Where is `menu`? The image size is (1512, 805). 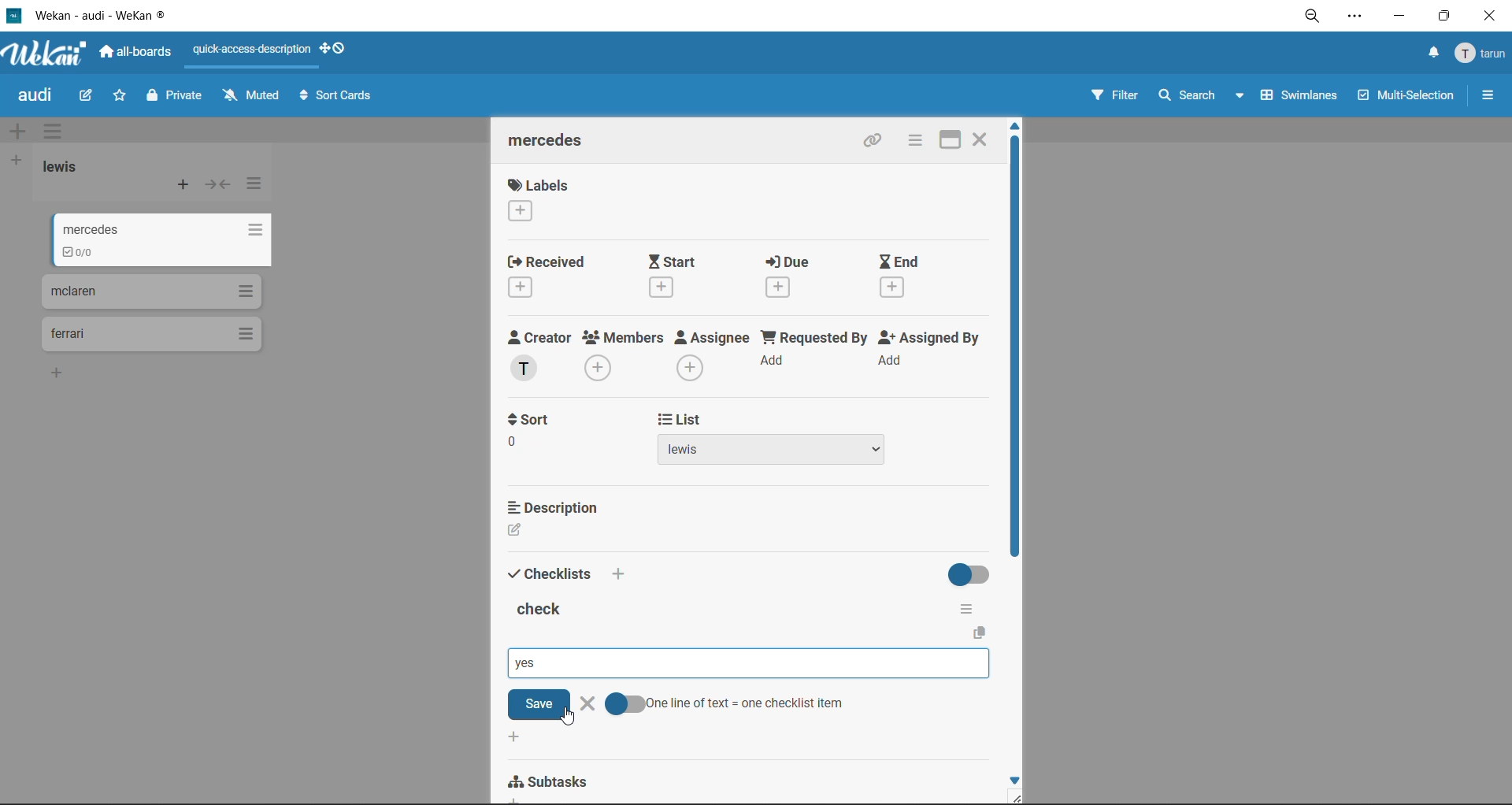
menu is located at coordinates (1482, 54).